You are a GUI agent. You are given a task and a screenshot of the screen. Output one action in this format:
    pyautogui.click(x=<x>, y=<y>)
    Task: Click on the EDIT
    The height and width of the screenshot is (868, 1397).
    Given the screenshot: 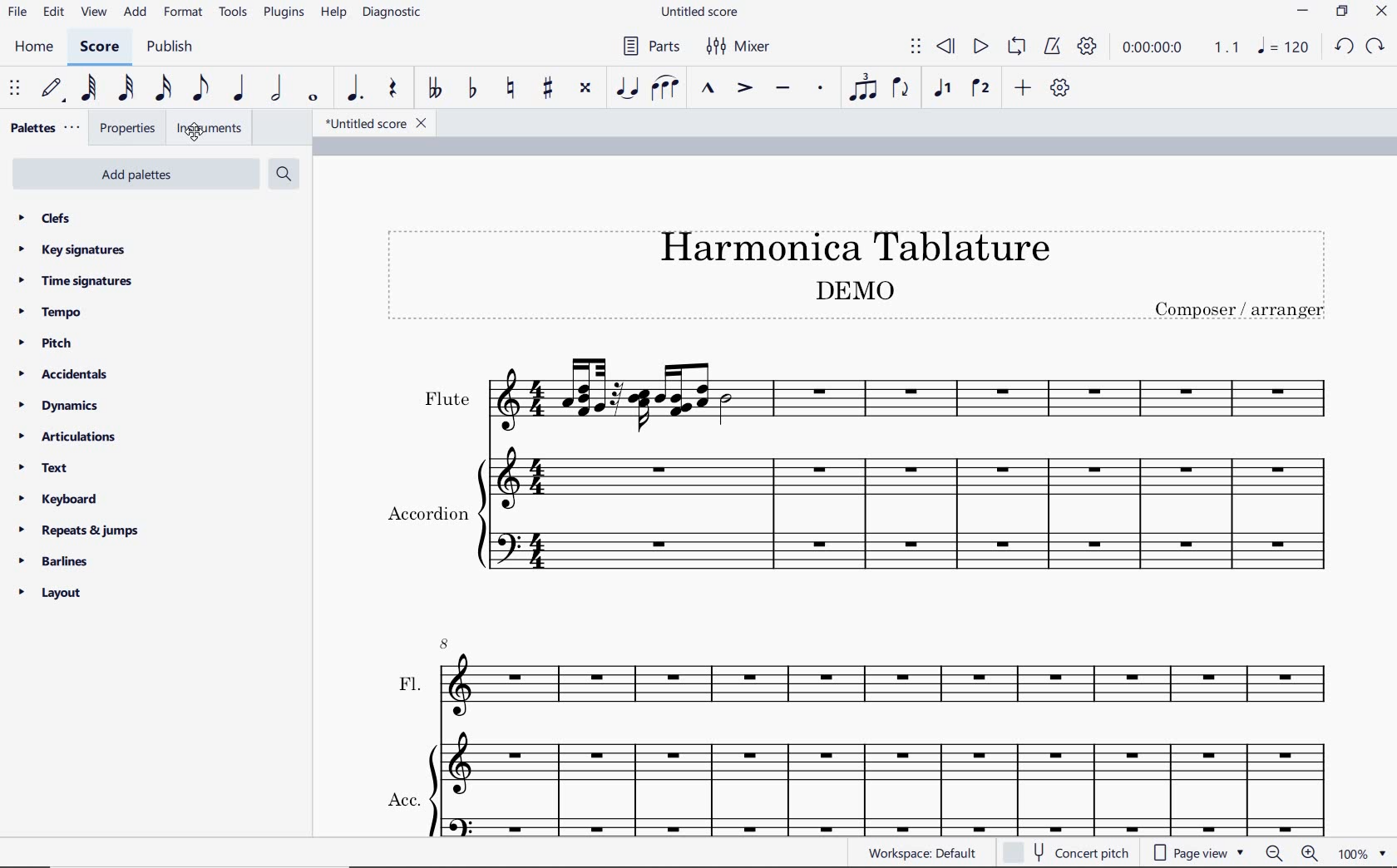 What is the action you would take?
    pyautogui.click(x=52, y=12)
    